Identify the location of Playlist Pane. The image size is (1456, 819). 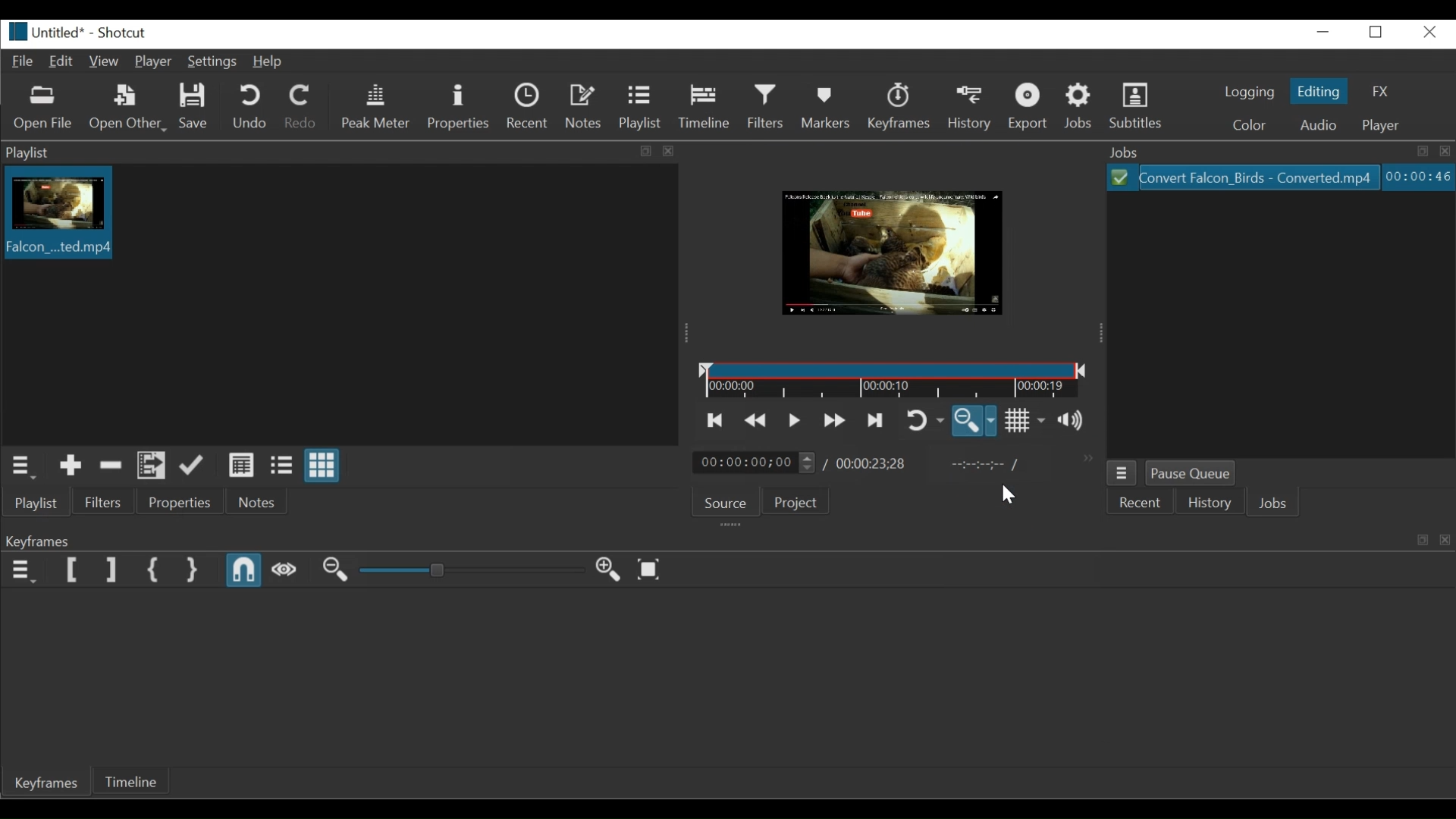
(342, 152).